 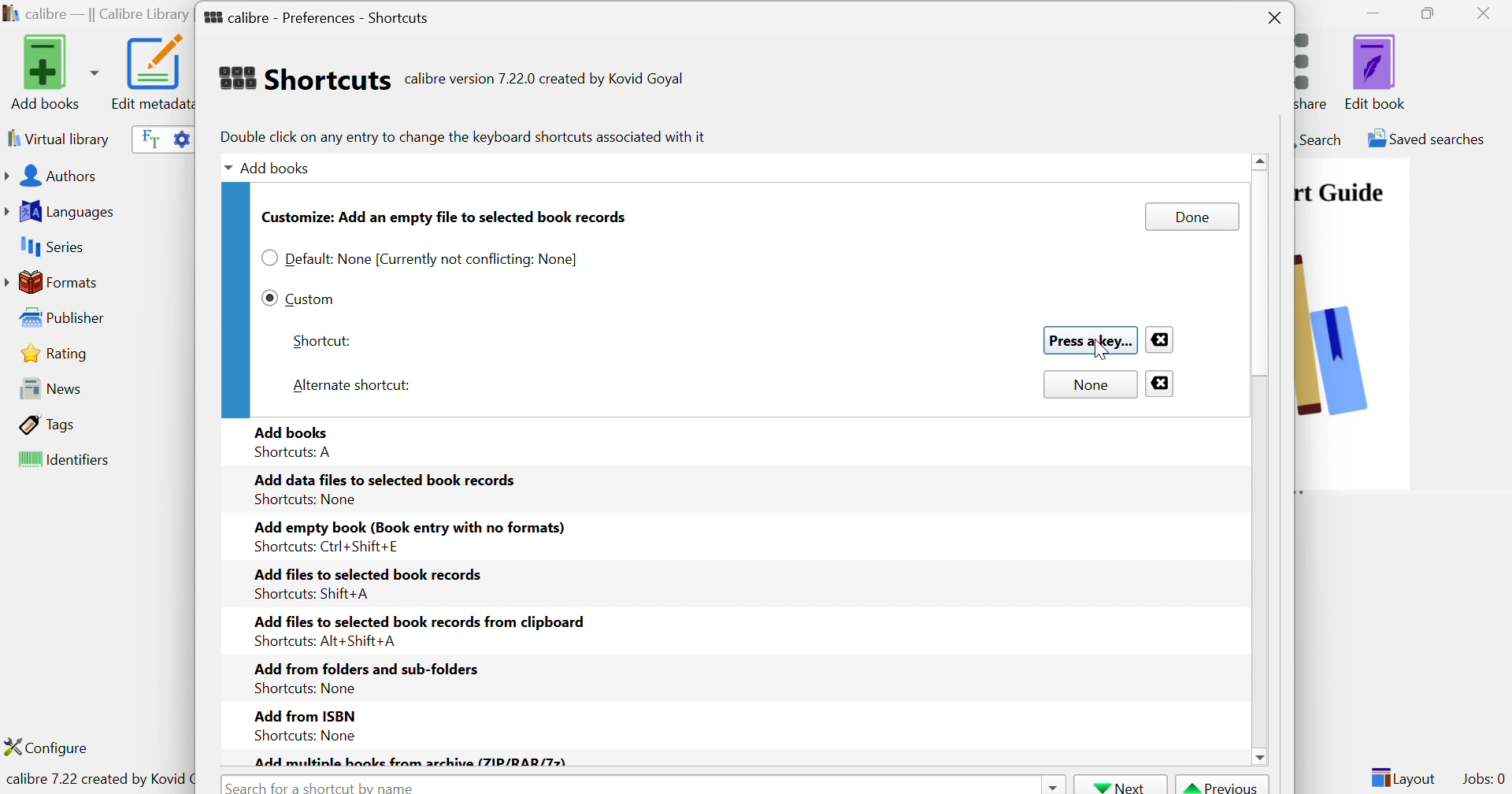 I want to click on Custom, so click(x=310, y=298).